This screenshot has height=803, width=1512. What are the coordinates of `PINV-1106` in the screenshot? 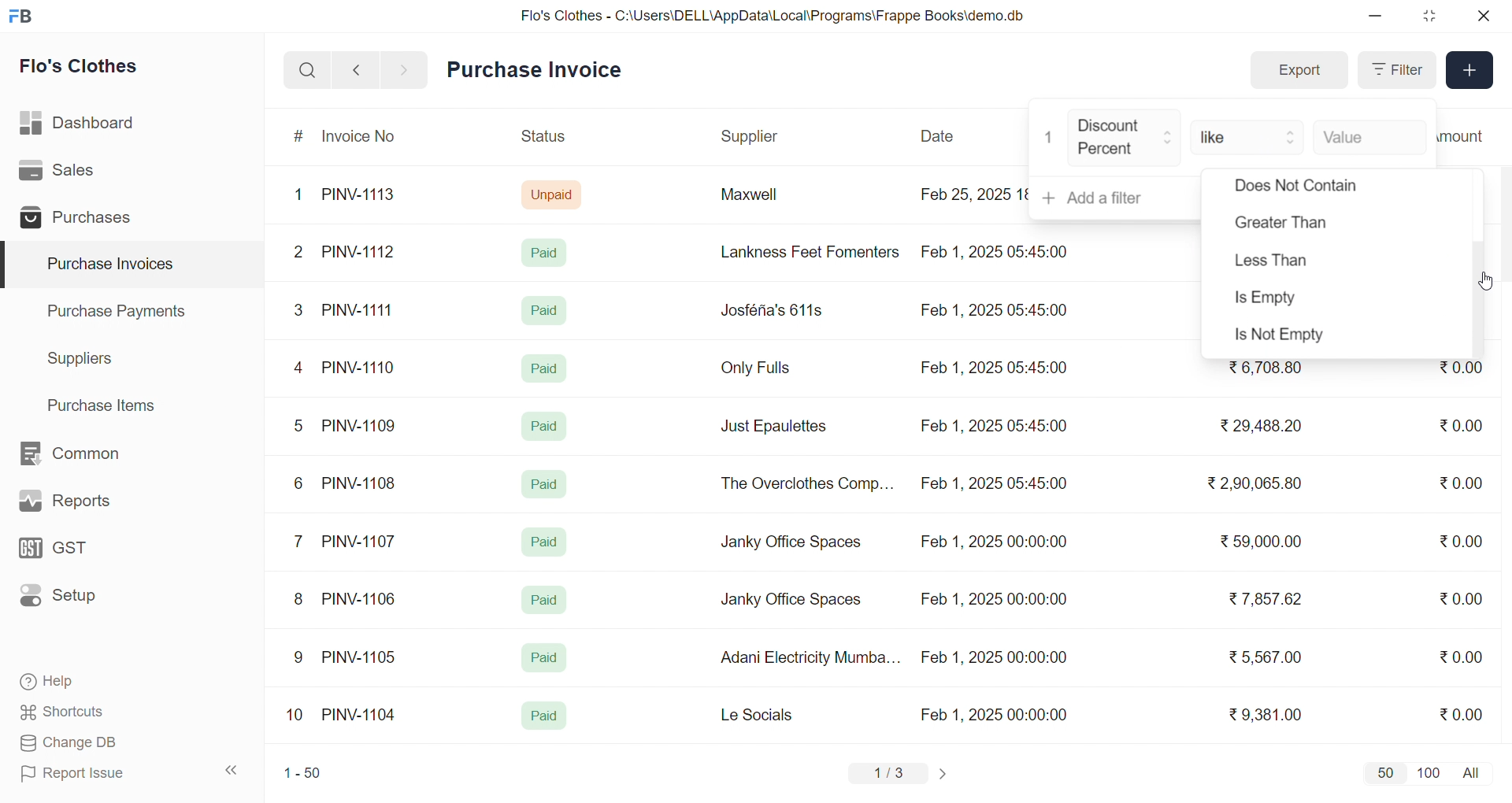 It's located at (365, 599).